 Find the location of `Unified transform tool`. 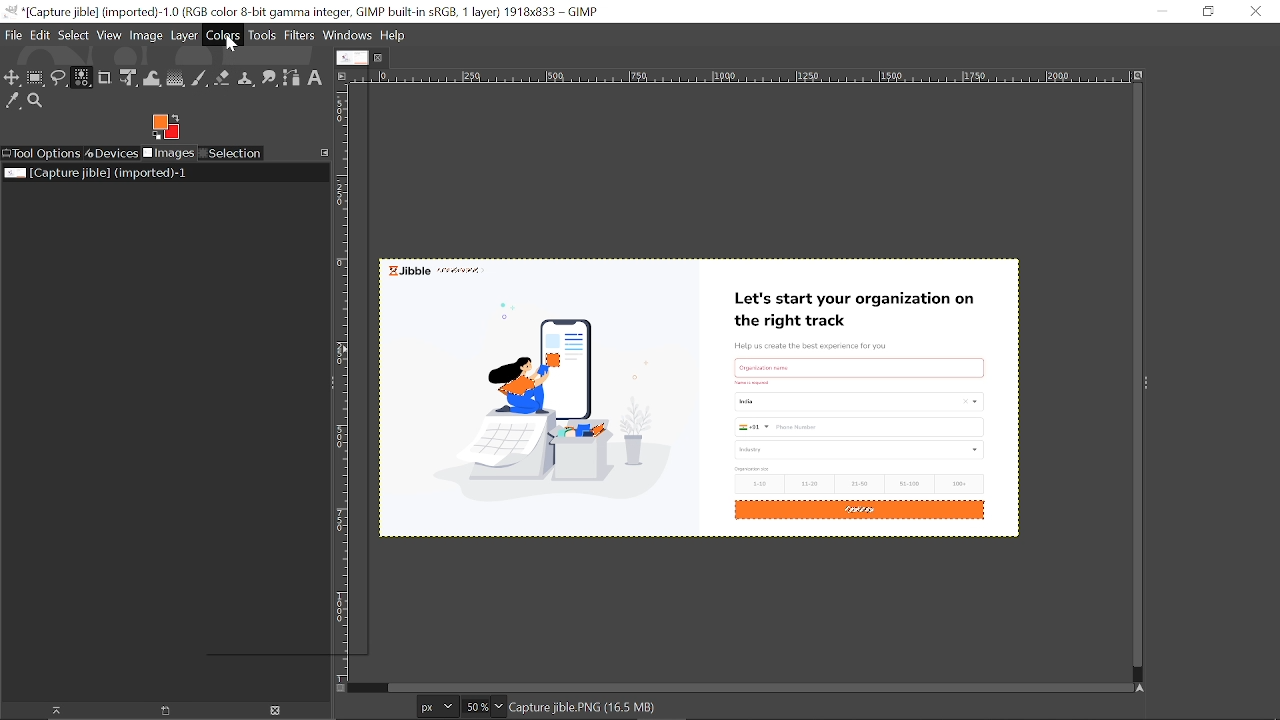

Unified transform tool is located at coordinates (128, 78).